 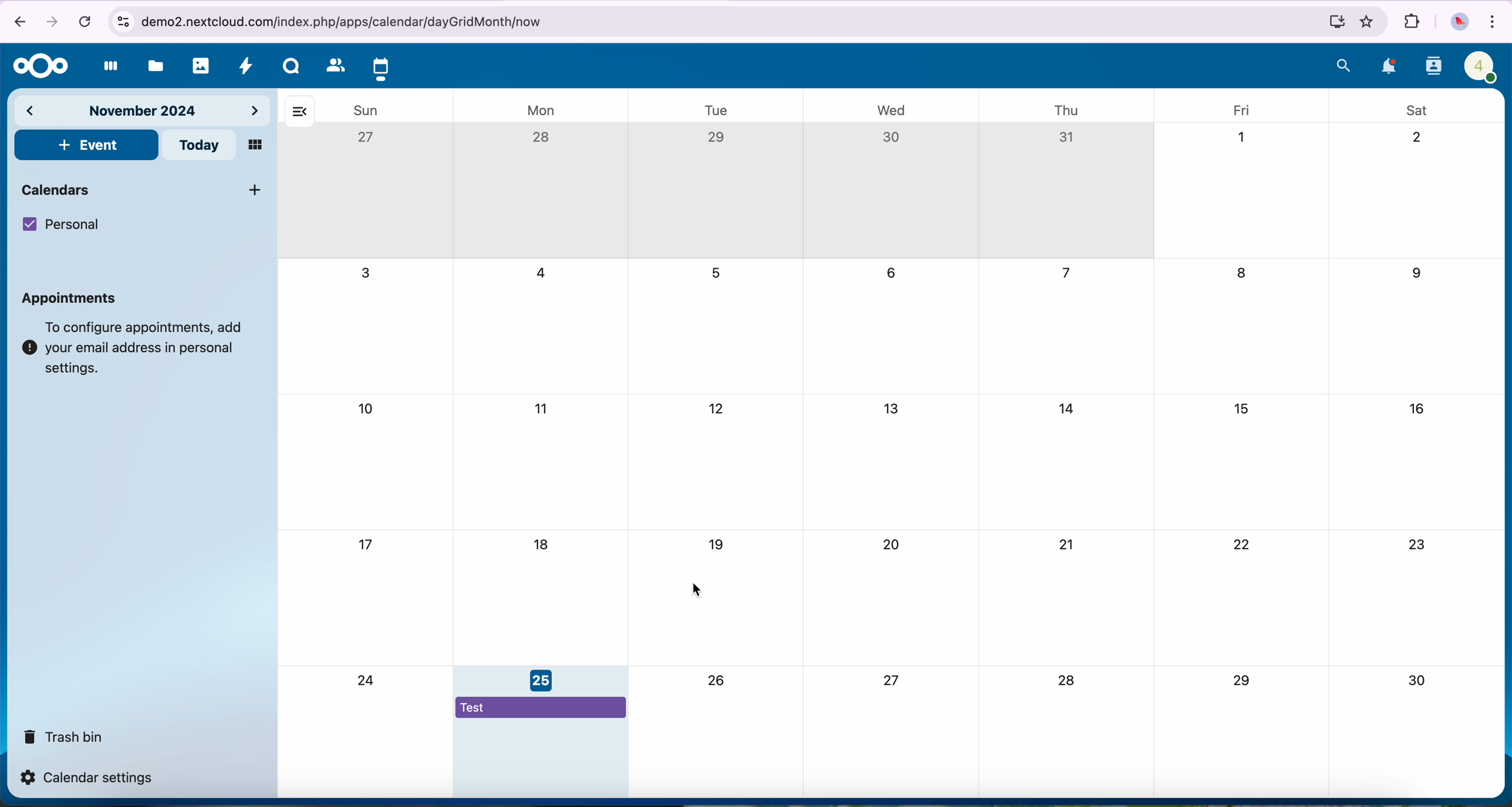 What do you see at coordinates (544, 410) in the screenshot?
I see `11` at bounding box center [544, 410].